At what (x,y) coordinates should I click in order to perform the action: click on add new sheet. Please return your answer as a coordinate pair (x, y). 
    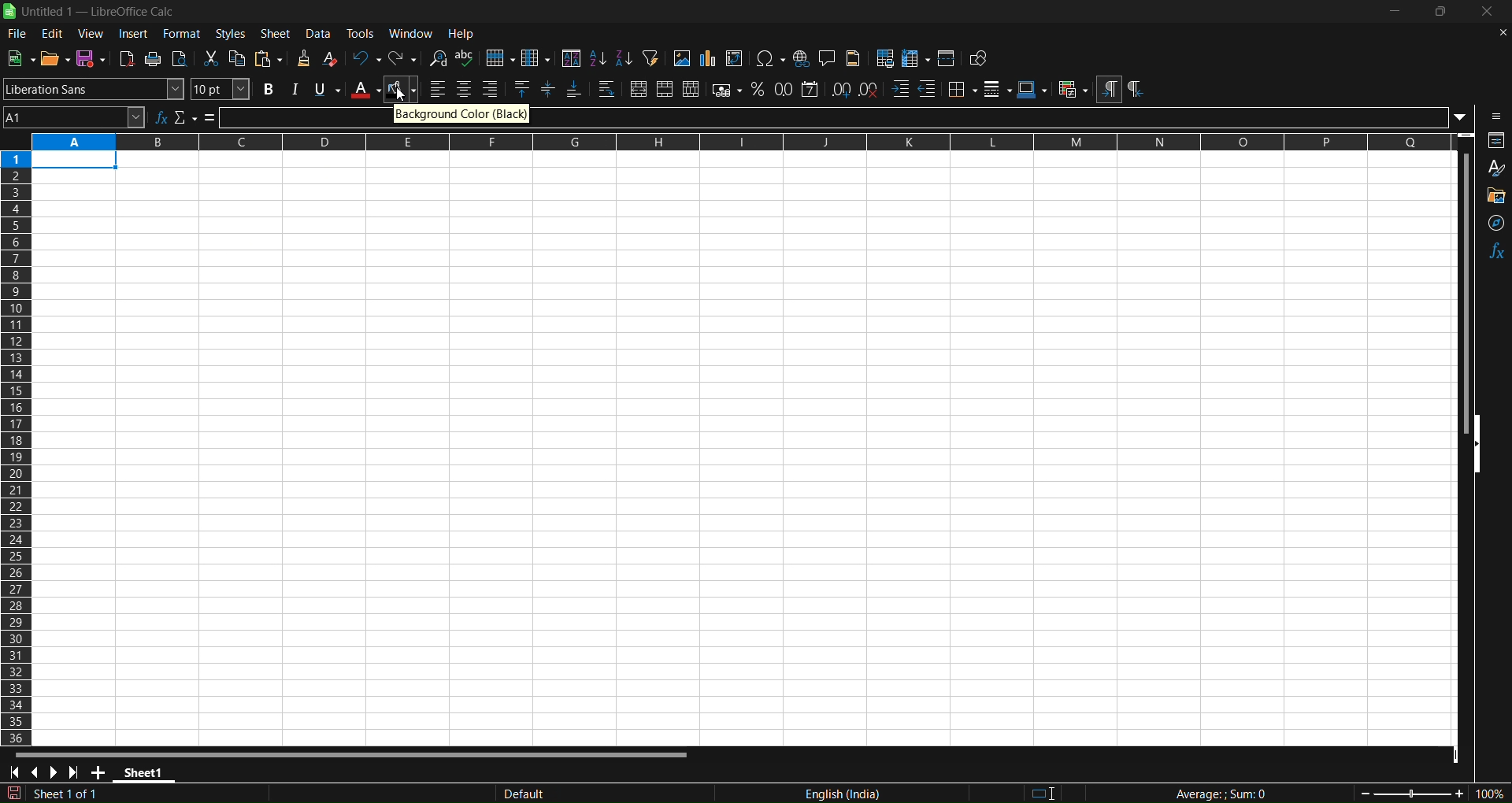
    Looking at the image, I should click on (98, 774).